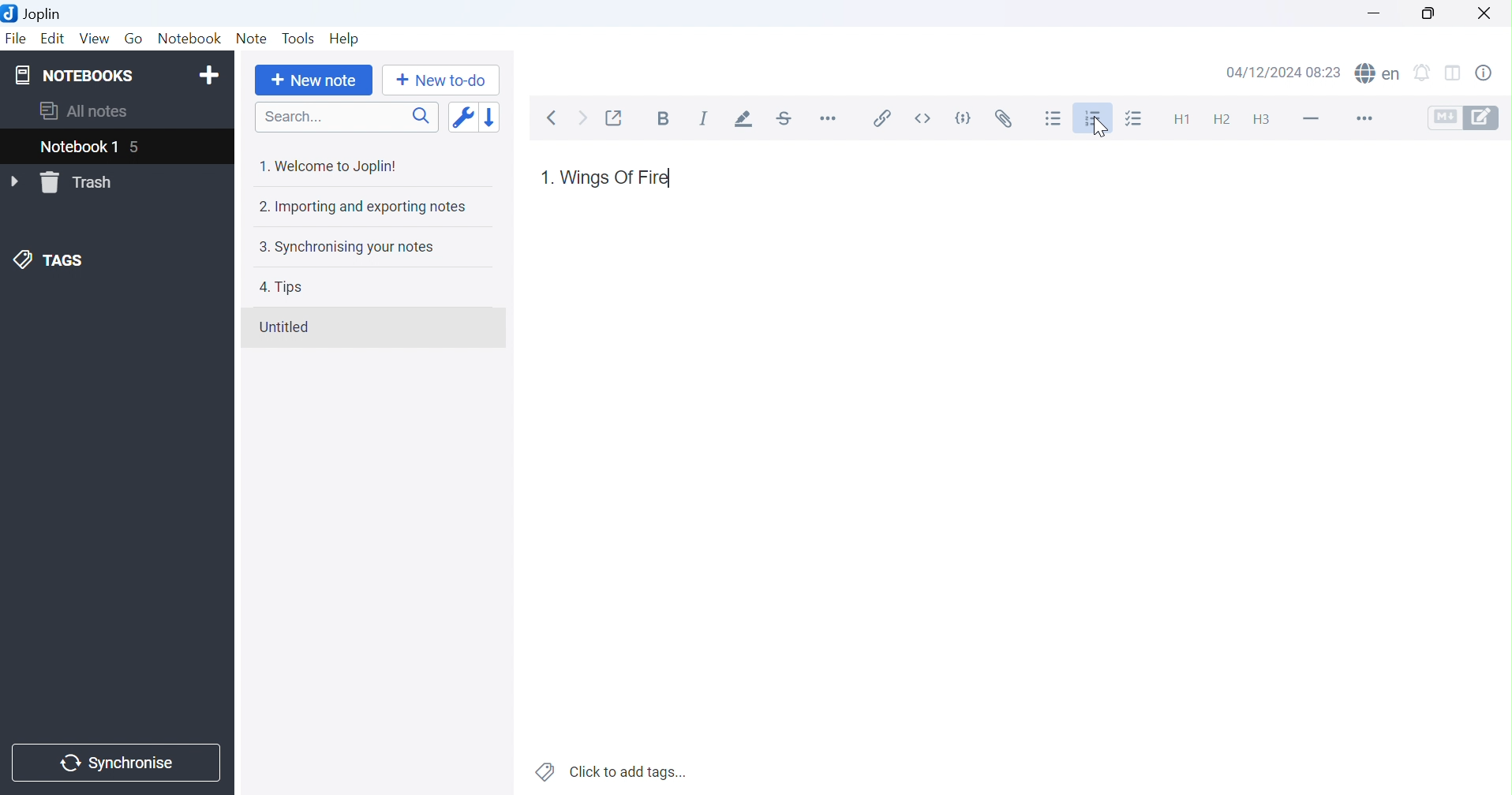  Describe the element at coordinates (16, 182) in the screenshot. I see `Drop Down` at that location.